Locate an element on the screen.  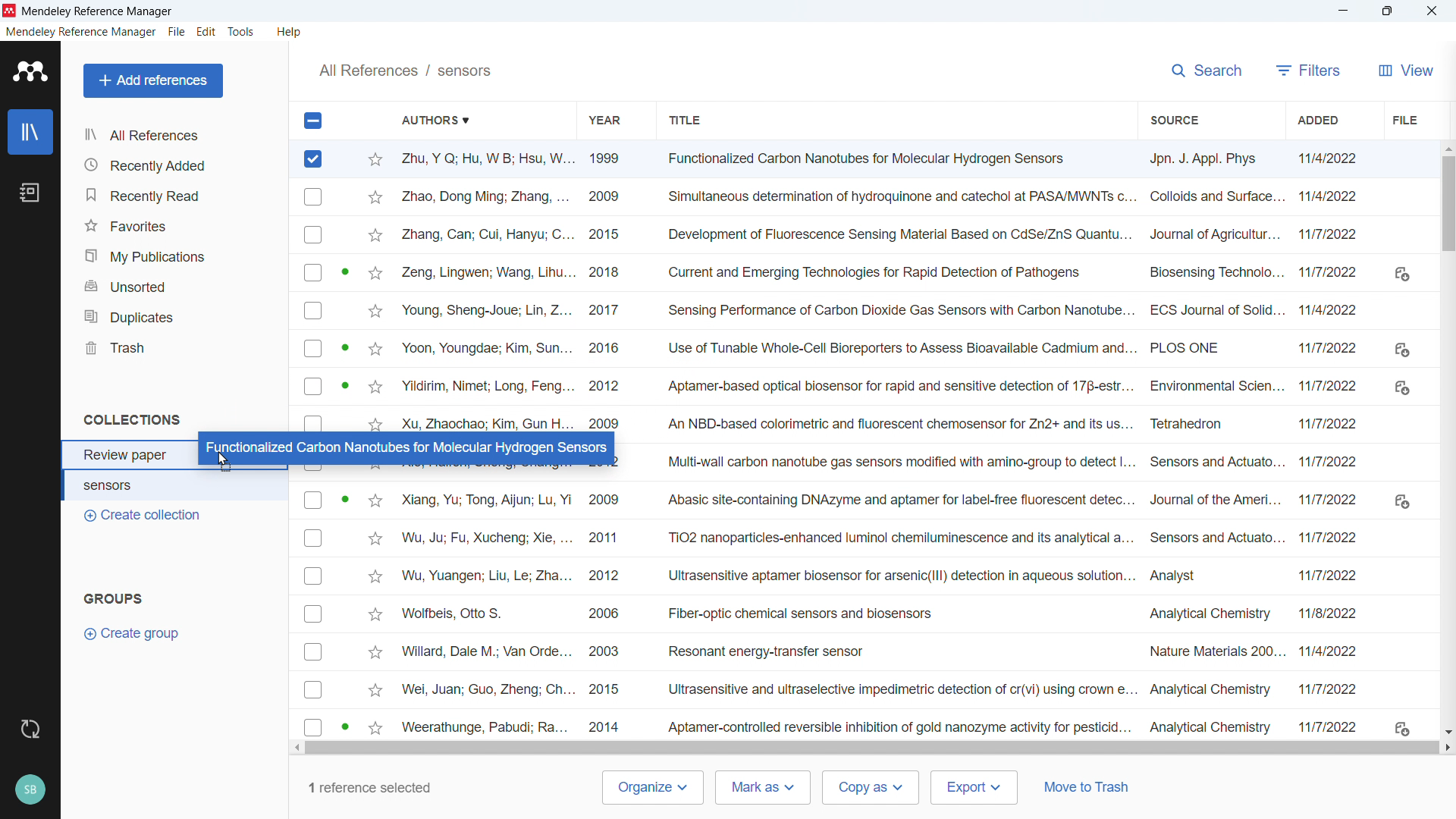
Scroll down  is located at coordinates (1447, 732).